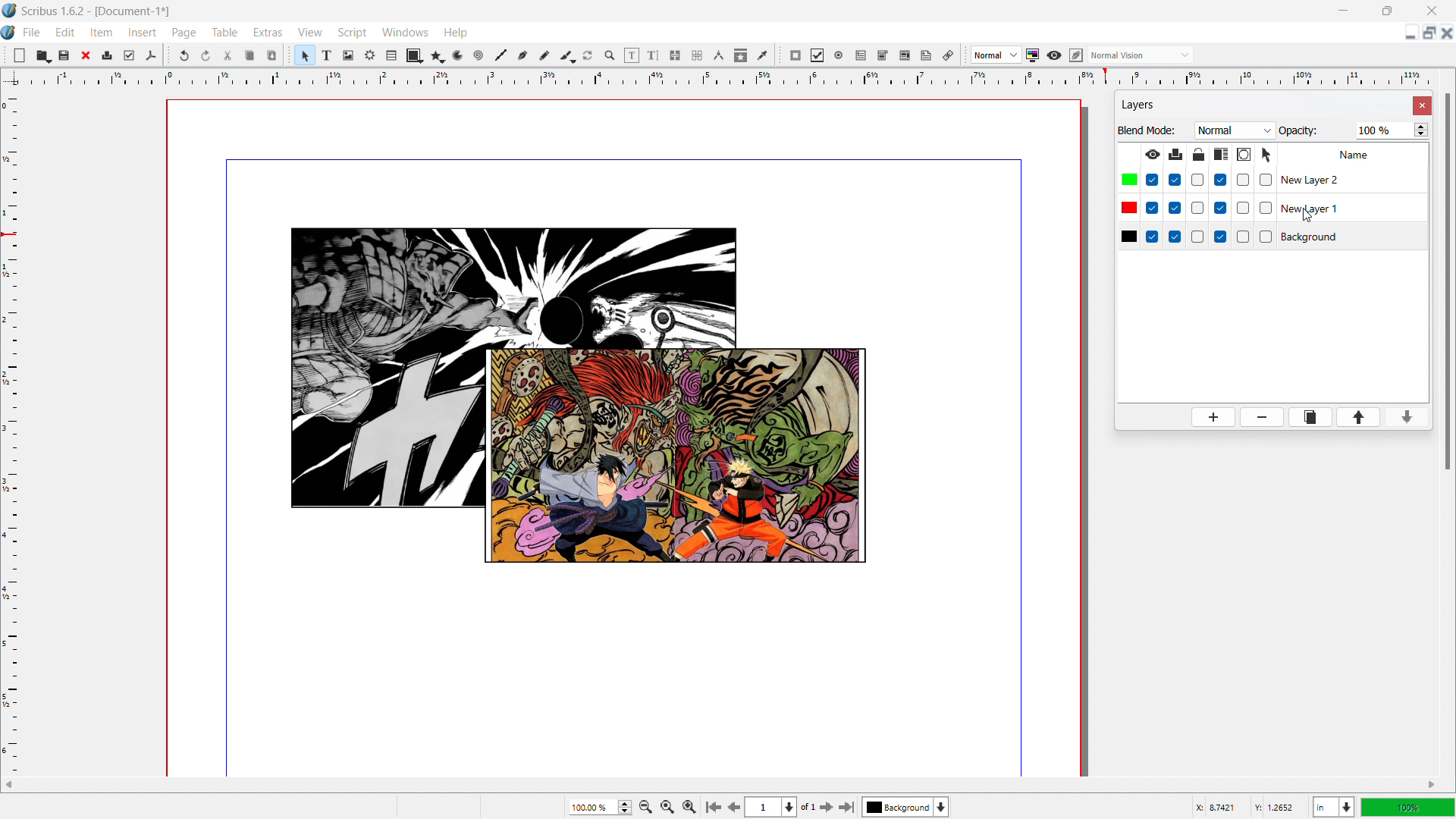  I want to click on duplicate layer, so click(1309, 417).